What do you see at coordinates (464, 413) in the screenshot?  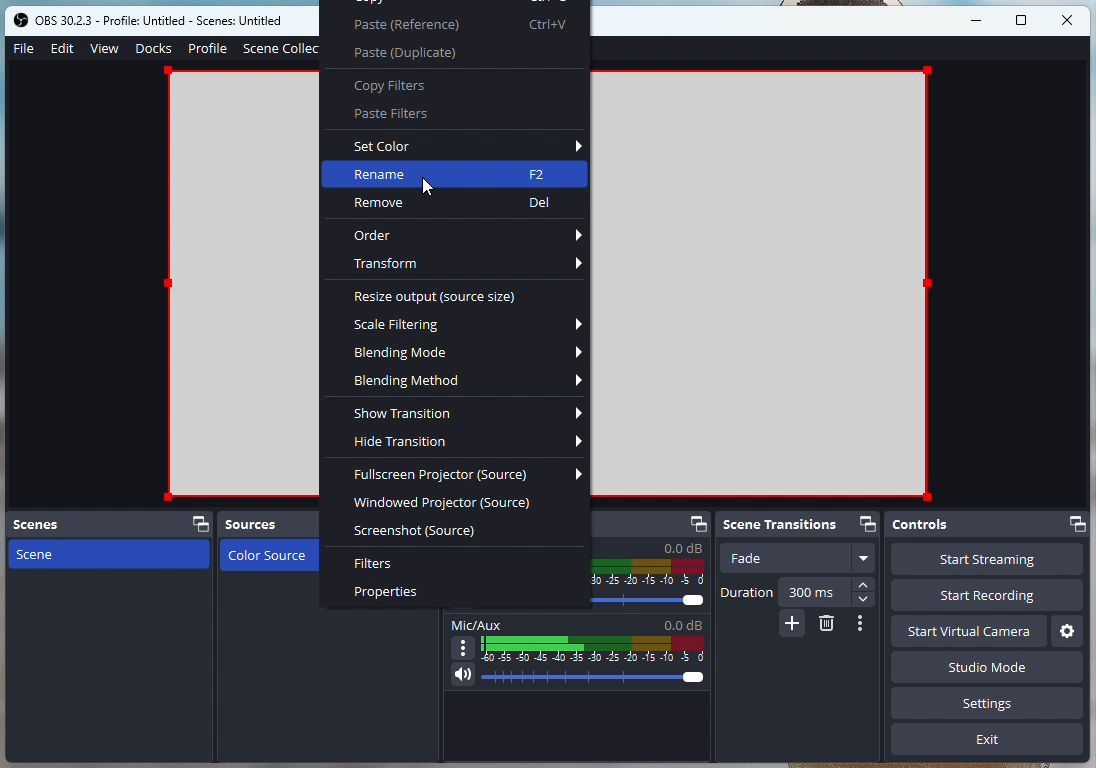 I see `Show transition` at bounding box center [464, 413].